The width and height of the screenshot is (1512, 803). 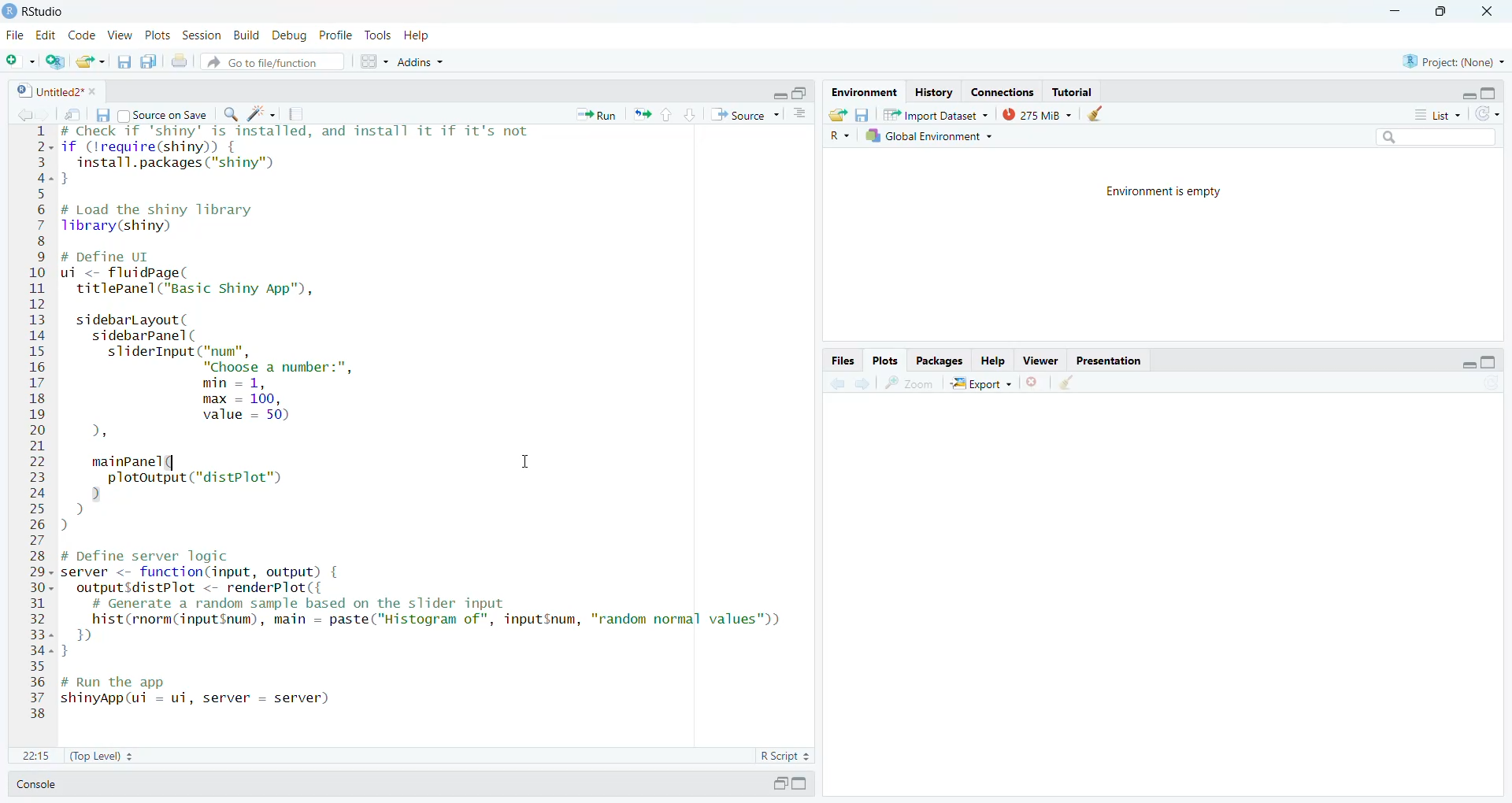 What do you see at coordinates (16, 35) in the screenshot?
I see `File` at bounding box center [16, 35].